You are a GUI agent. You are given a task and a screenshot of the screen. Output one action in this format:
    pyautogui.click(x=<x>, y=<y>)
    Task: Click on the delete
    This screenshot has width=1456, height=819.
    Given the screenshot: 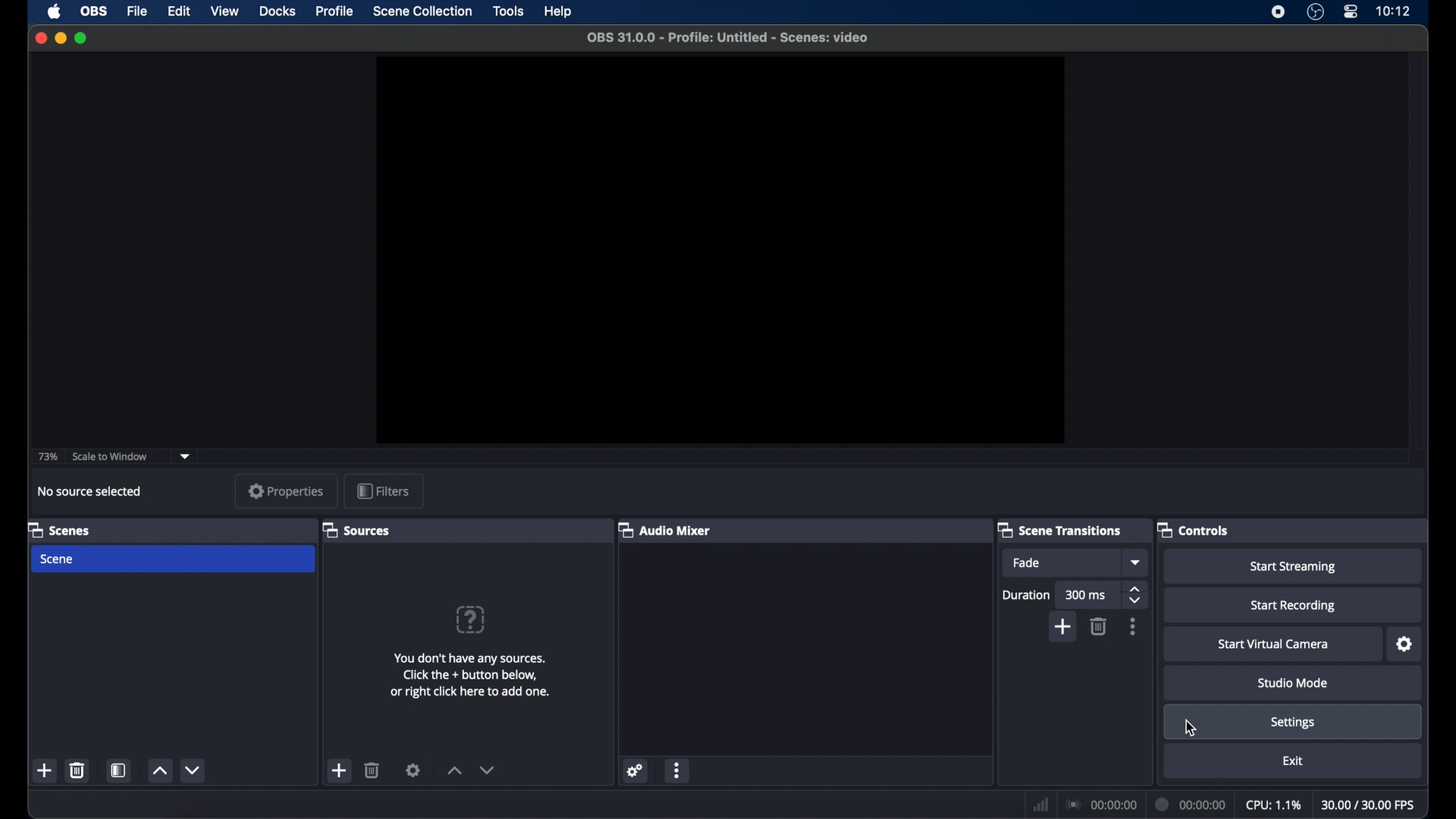 What is the action you would take?
    pyautogui.click(x=1098, y=626)
    